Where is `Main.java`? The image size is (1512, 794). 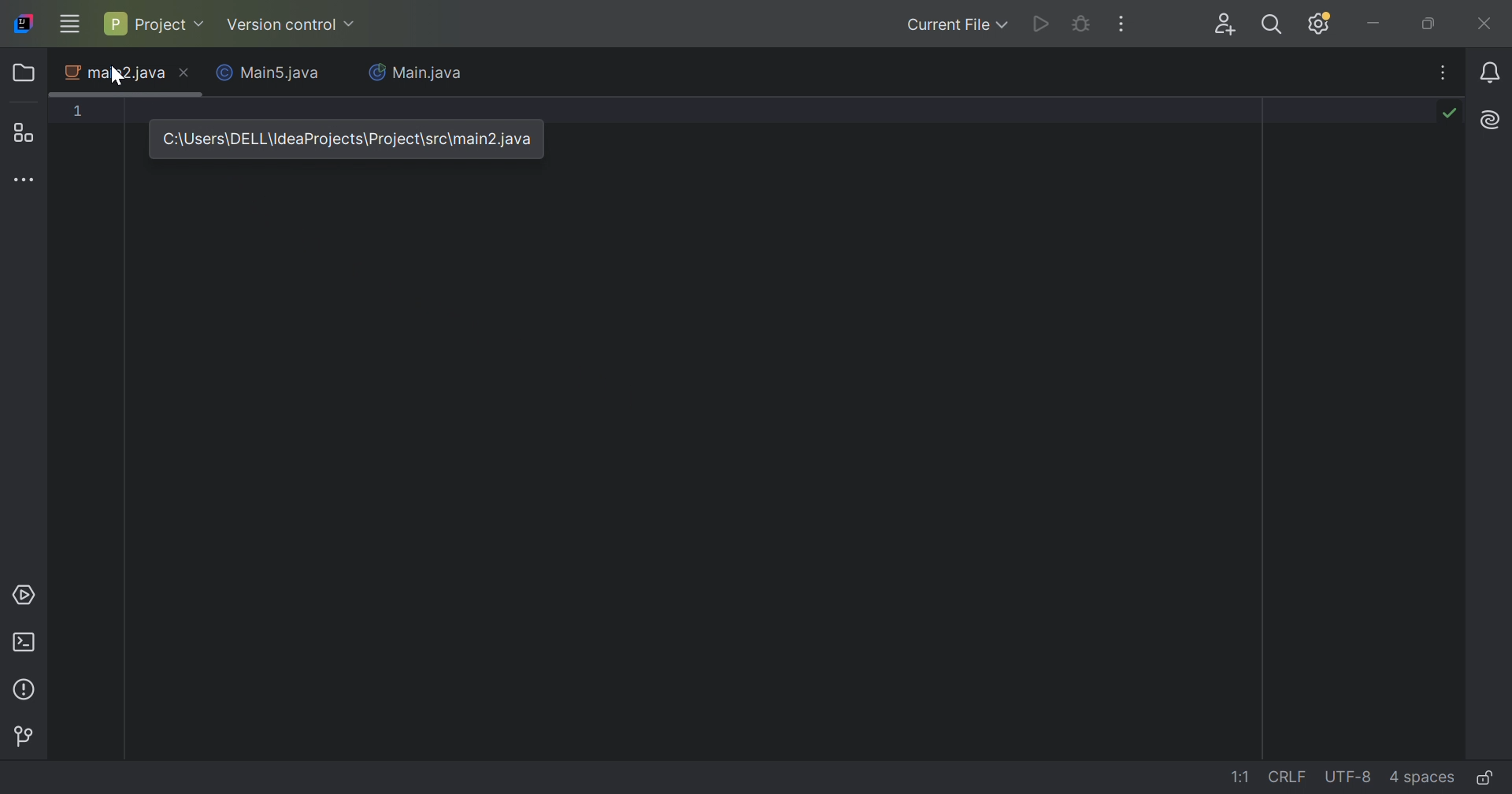
Main.java is located at coordinates (416, 74).